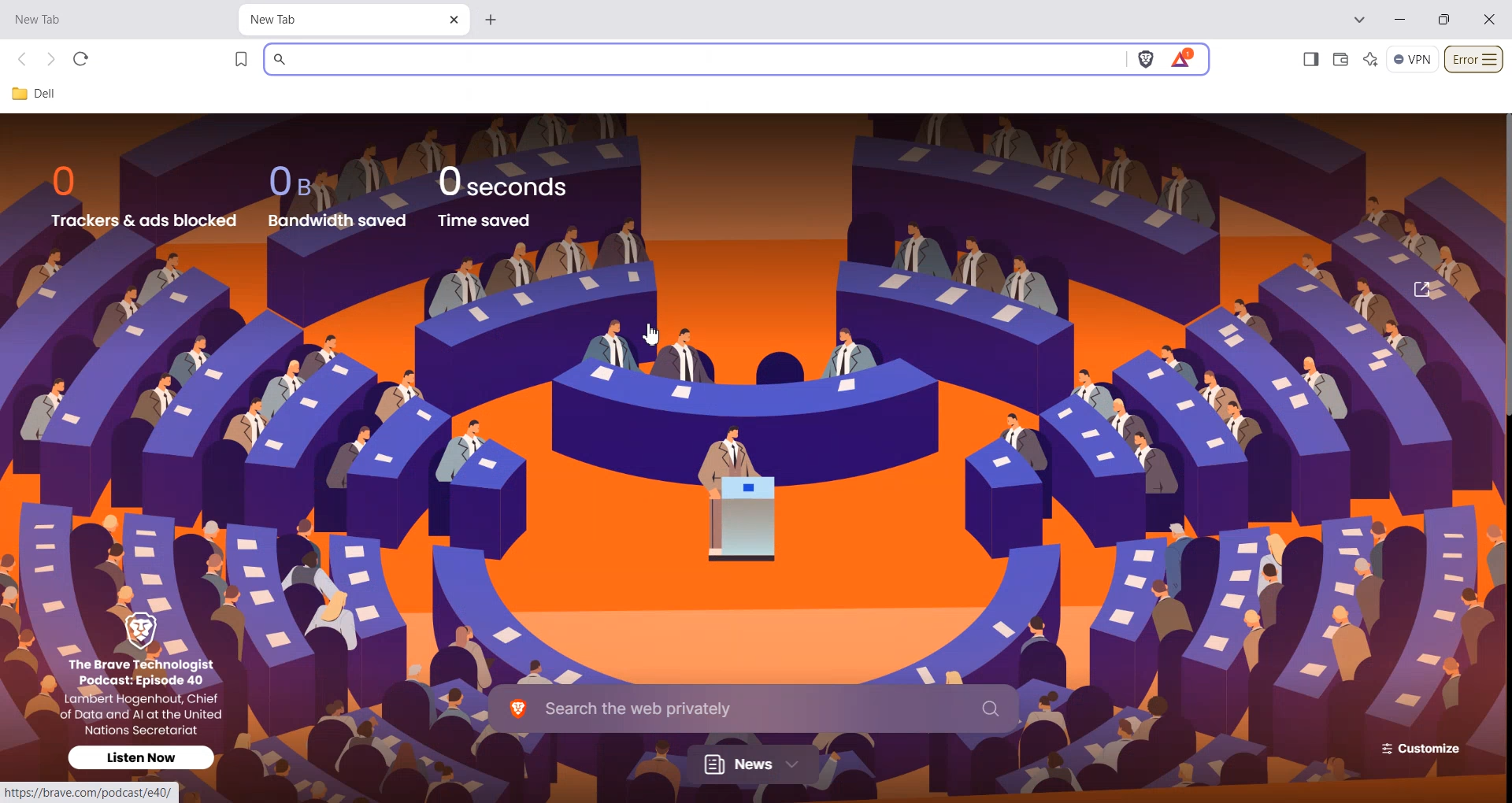  I want to click on Search Bar, so click(754, 707).